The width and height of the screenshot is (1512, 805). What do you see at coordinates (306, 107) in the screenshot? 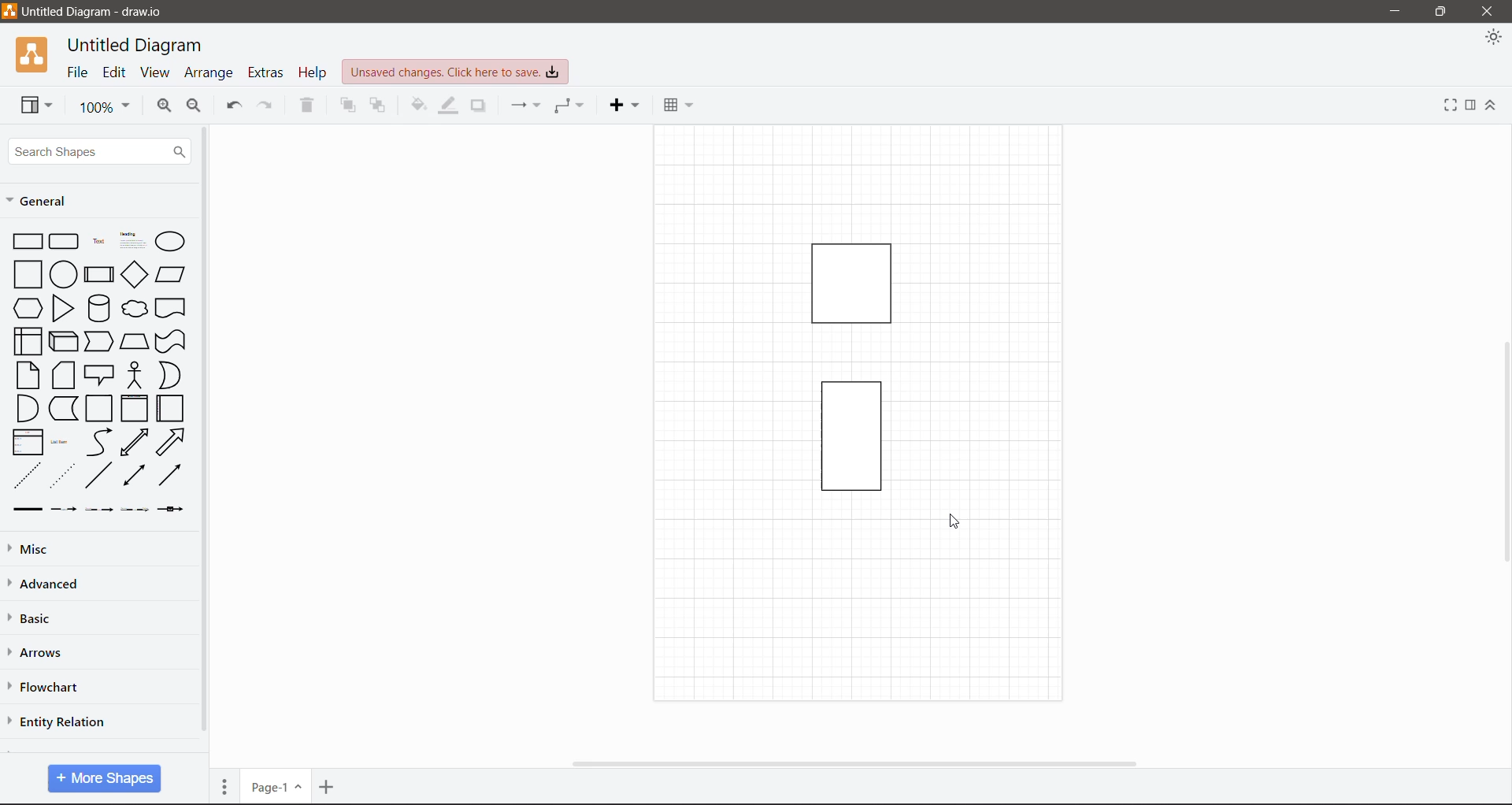
I see `Delete` at bounding box center [306, 107].